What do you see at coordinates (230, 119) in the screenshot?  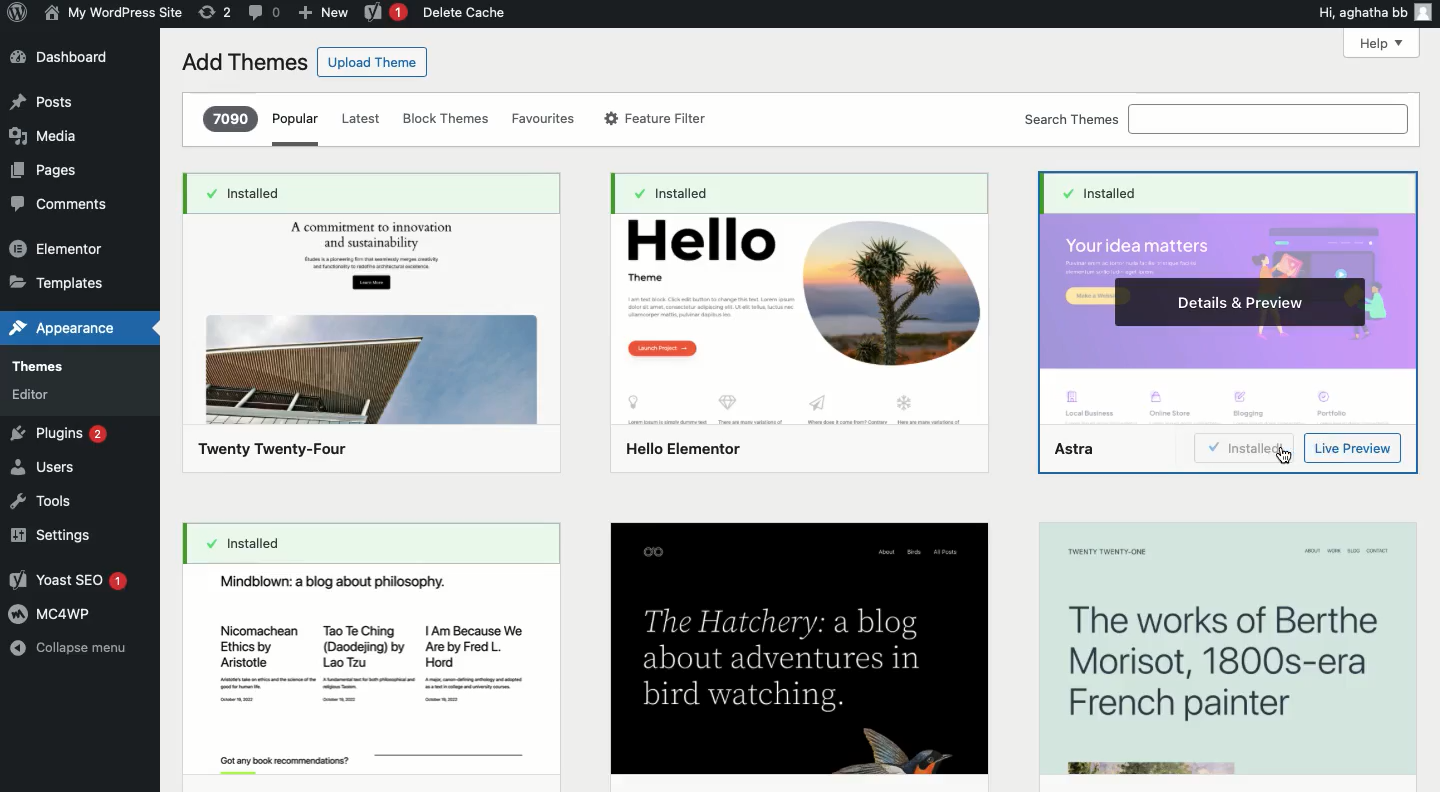 I see `7090` at bounding box center [230, 119].